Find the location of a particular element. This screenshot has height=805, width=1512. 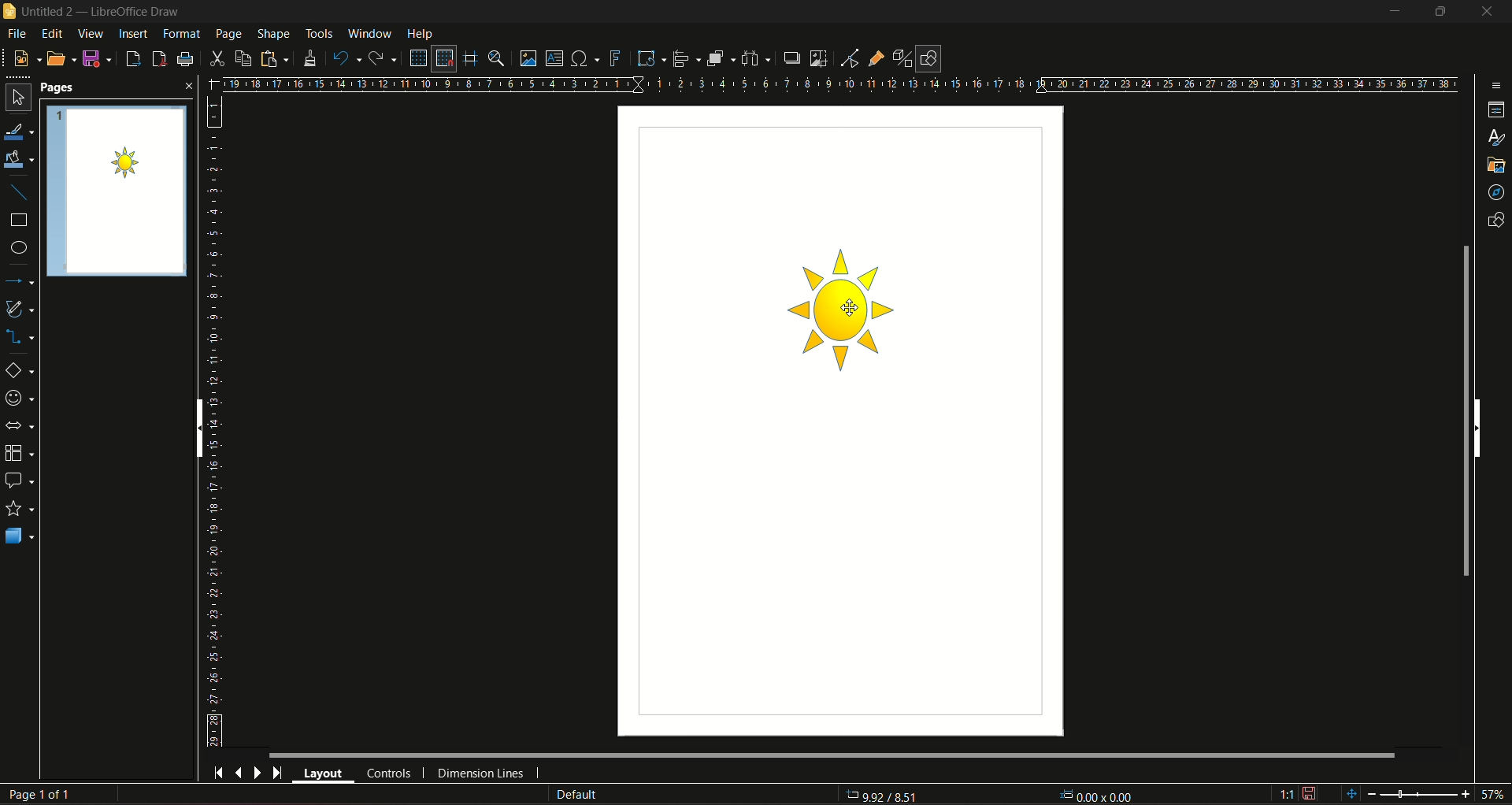

curves and polygon is located at coordinates (20, 309).